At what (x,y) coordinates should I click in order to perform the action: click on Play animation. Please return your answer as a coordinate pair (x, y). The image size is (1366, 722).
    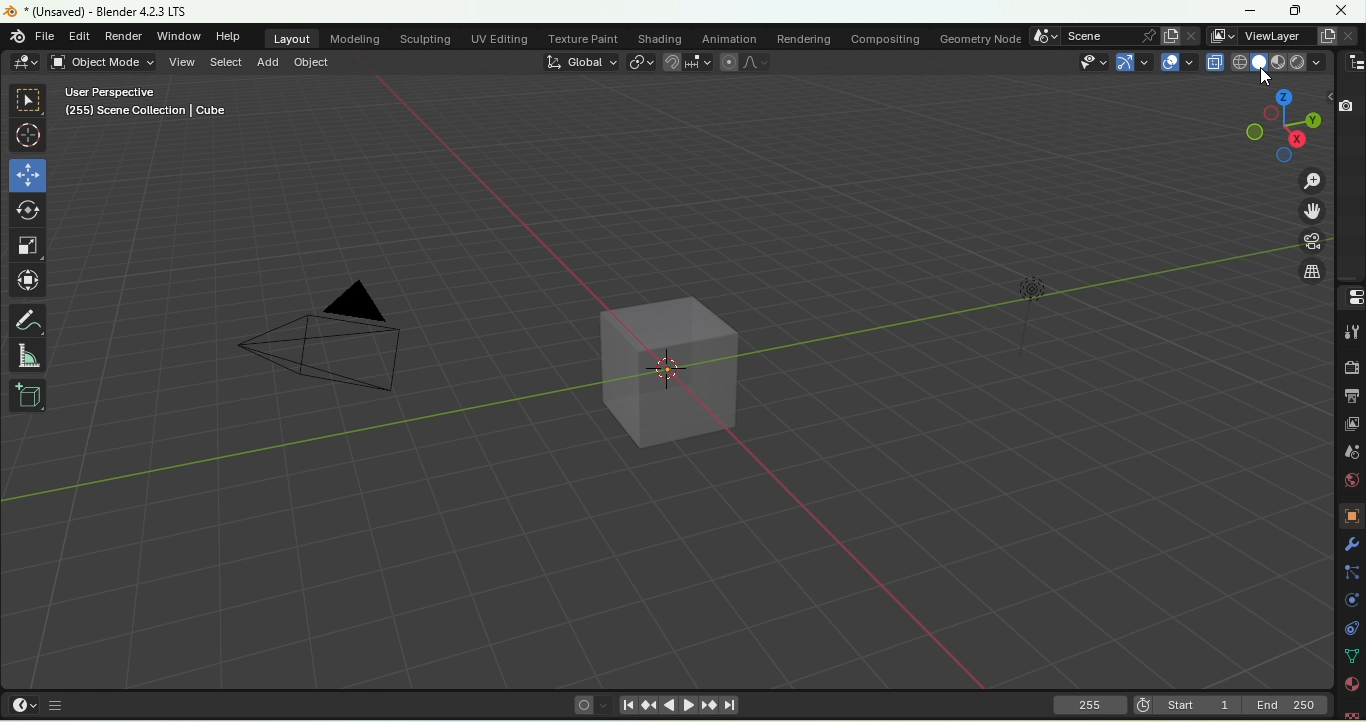
    Looking at the image, I should click on (669, 705).